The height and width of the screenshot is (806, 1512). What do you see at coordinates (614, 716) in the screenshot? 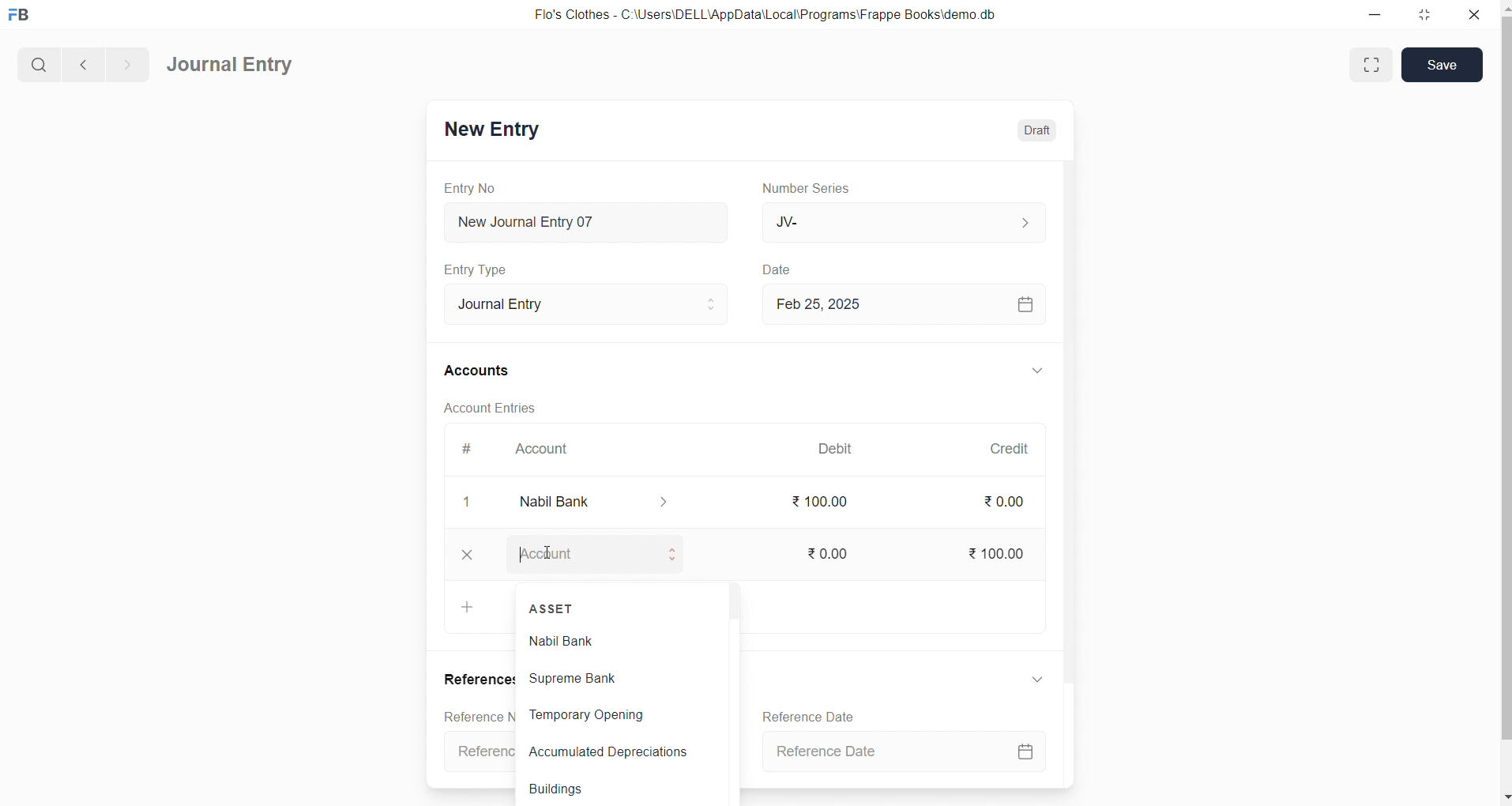
I see `Temporary Opening` at bounding box center [614, 716].